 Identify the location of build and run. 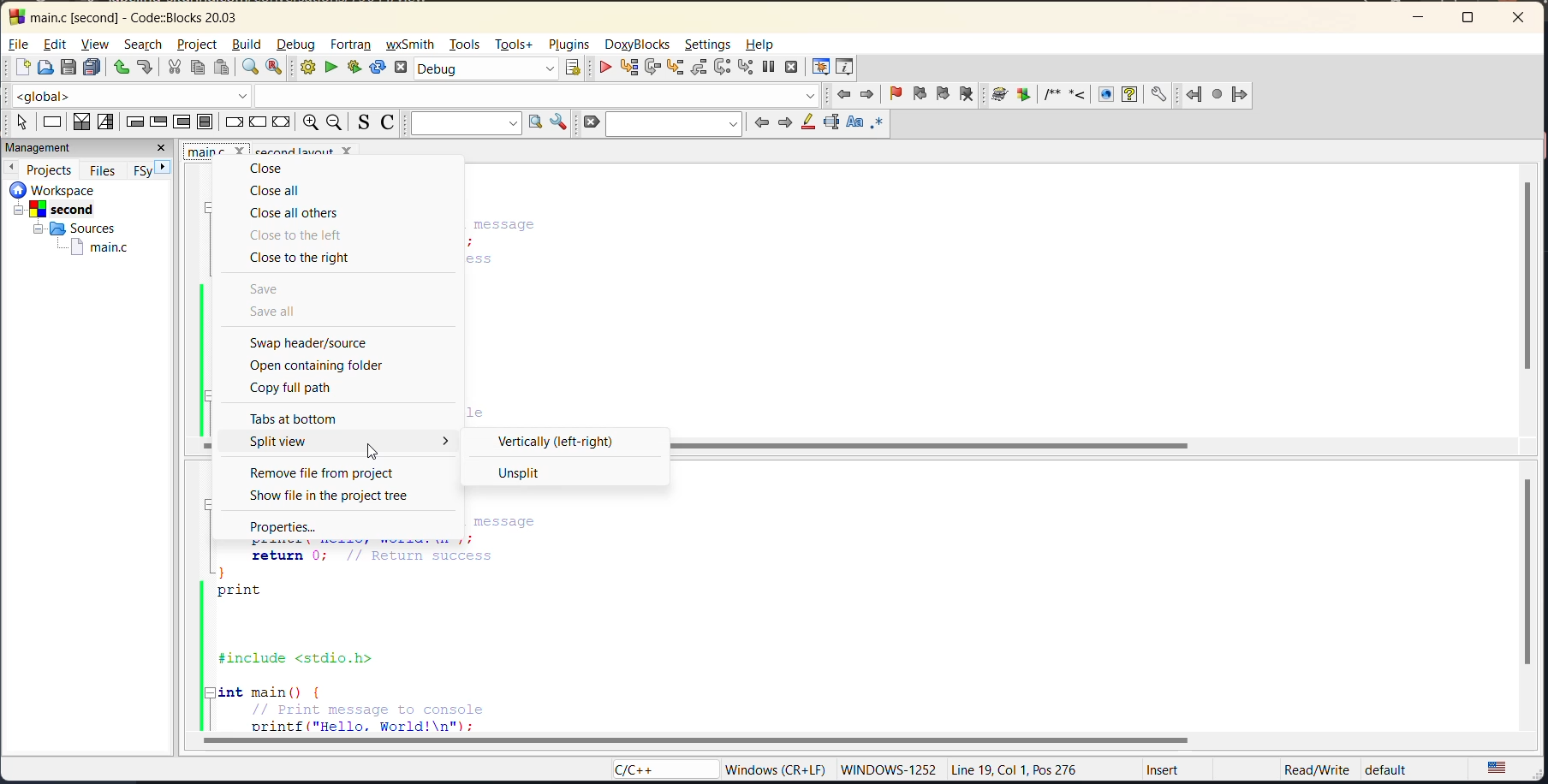
(354, 68).